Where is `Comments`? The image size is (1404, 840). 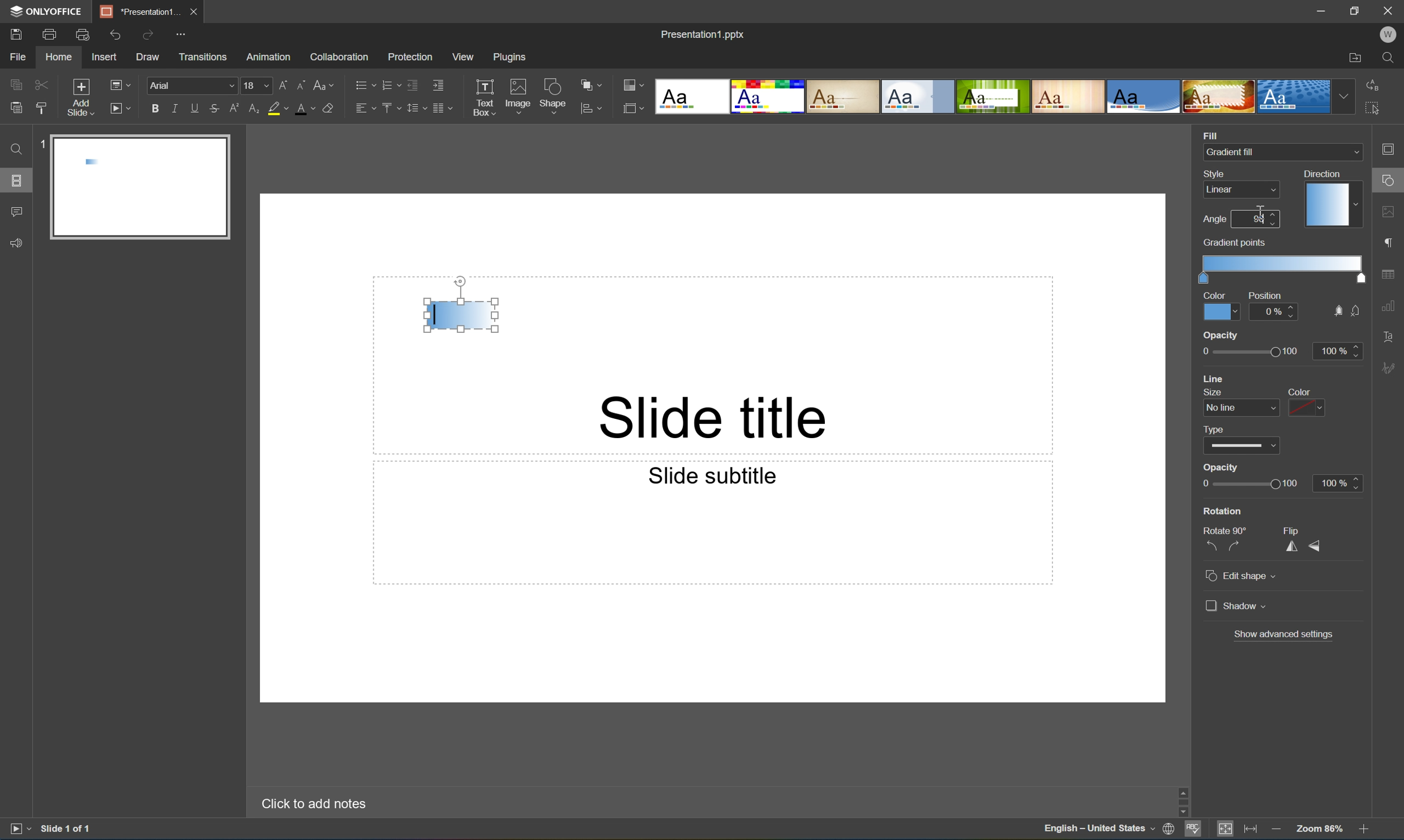 Comments is located at coordinates (16, 212).